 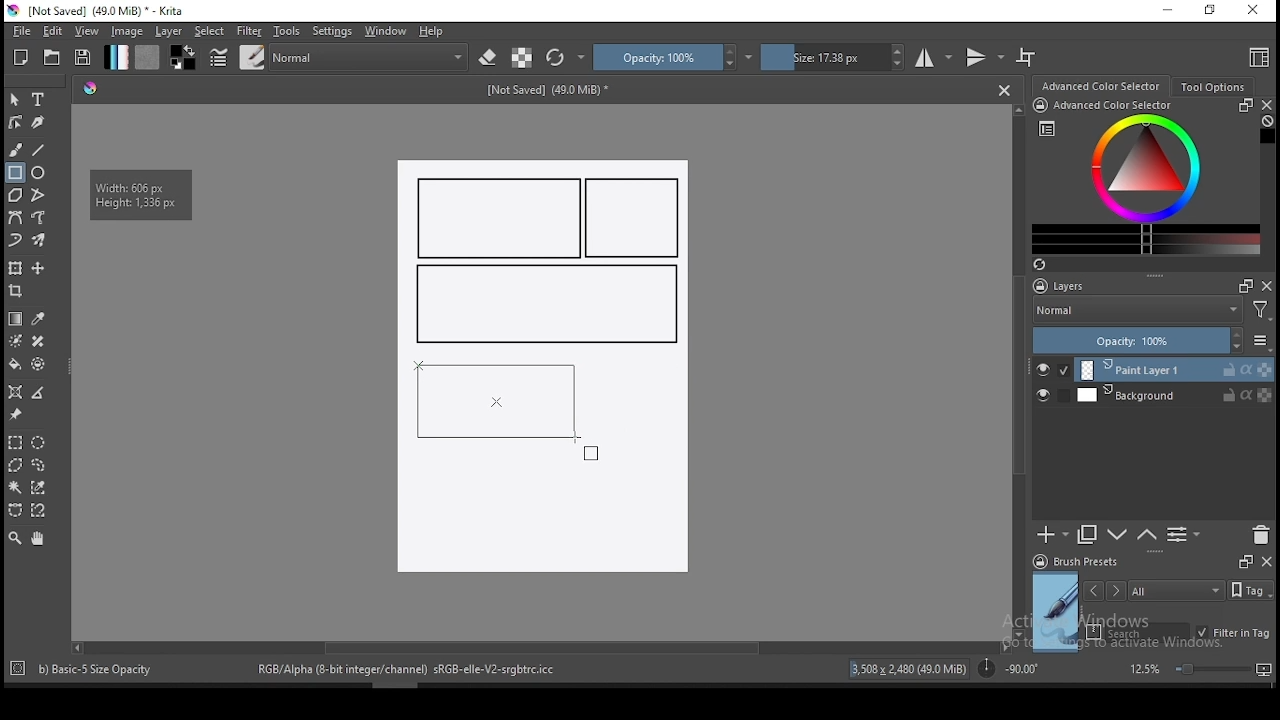 I want to click on image, so click(x=126, y=31).